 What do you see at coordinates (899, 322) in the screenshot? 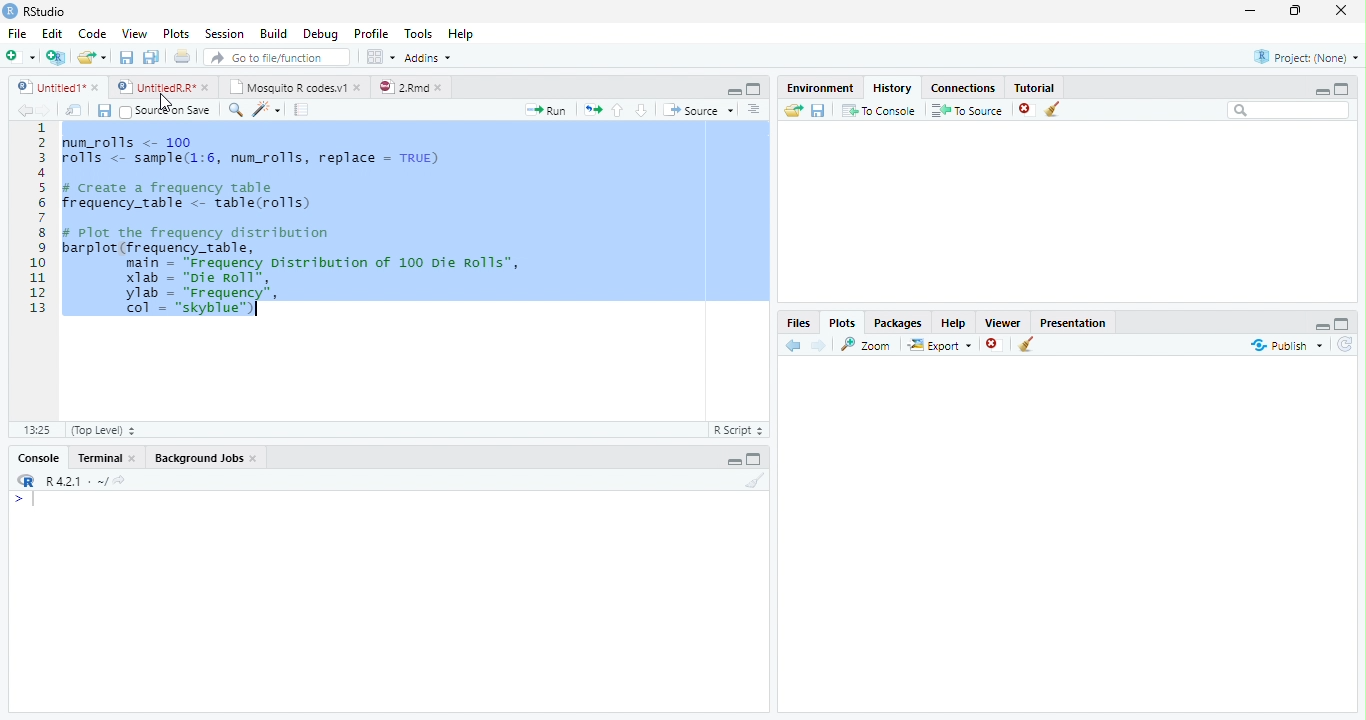
I see `Packages` at bounding box center [899, 322].